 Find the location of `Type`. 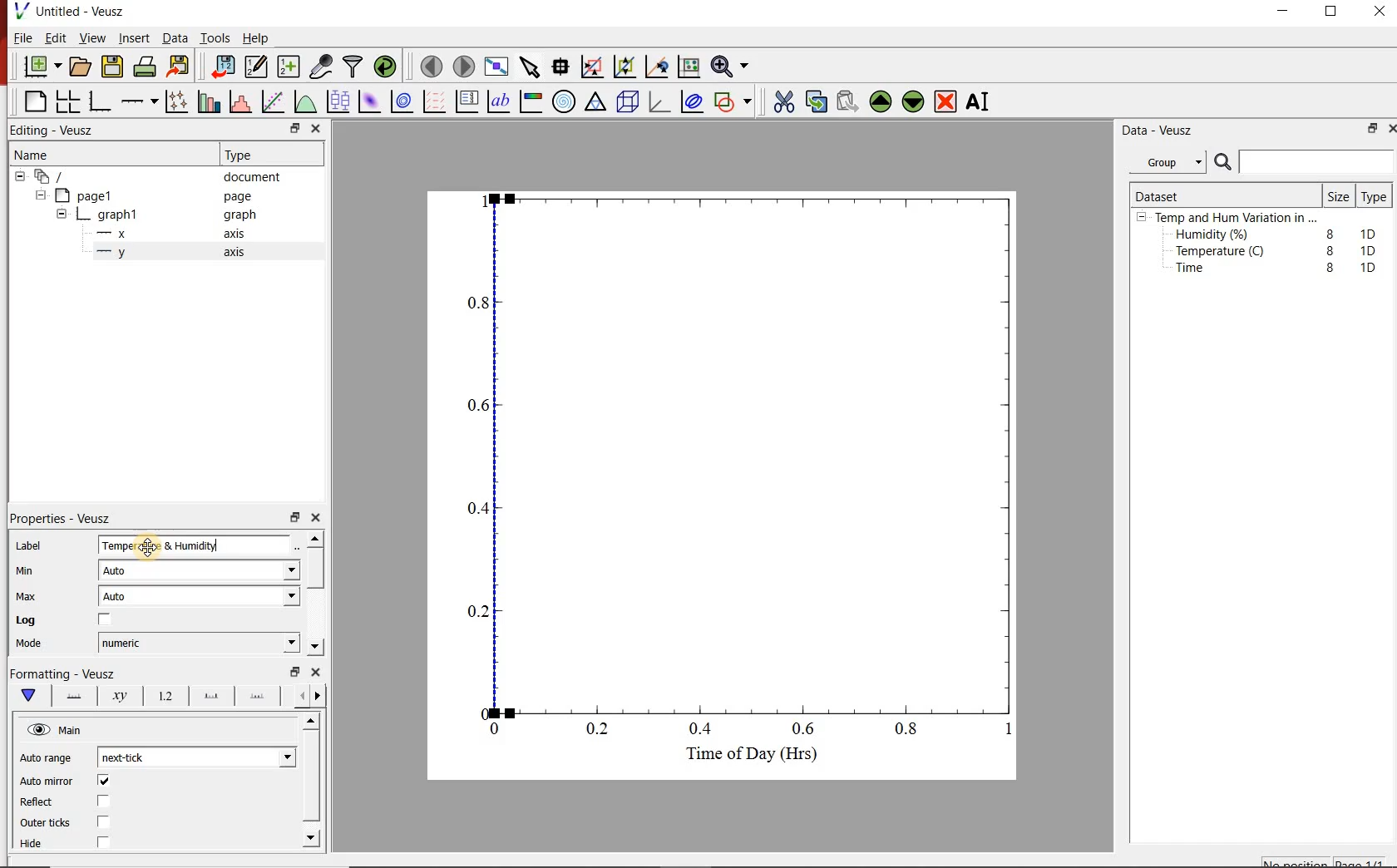

Type is located at coordinates (1375, 198).